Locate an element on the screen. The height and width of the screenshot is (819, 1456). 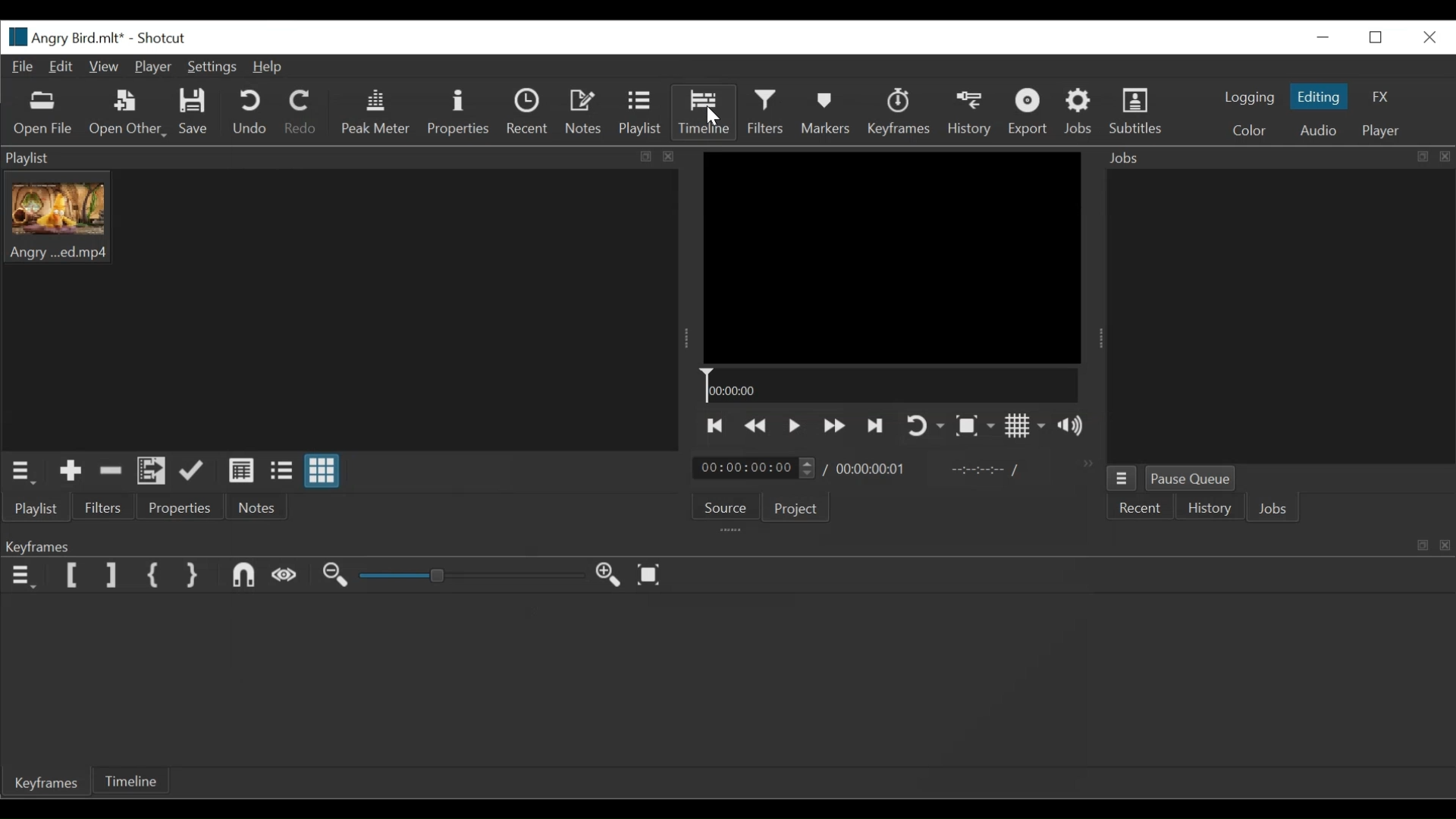
Skip to the previous point is located at coordinates (715, 425).